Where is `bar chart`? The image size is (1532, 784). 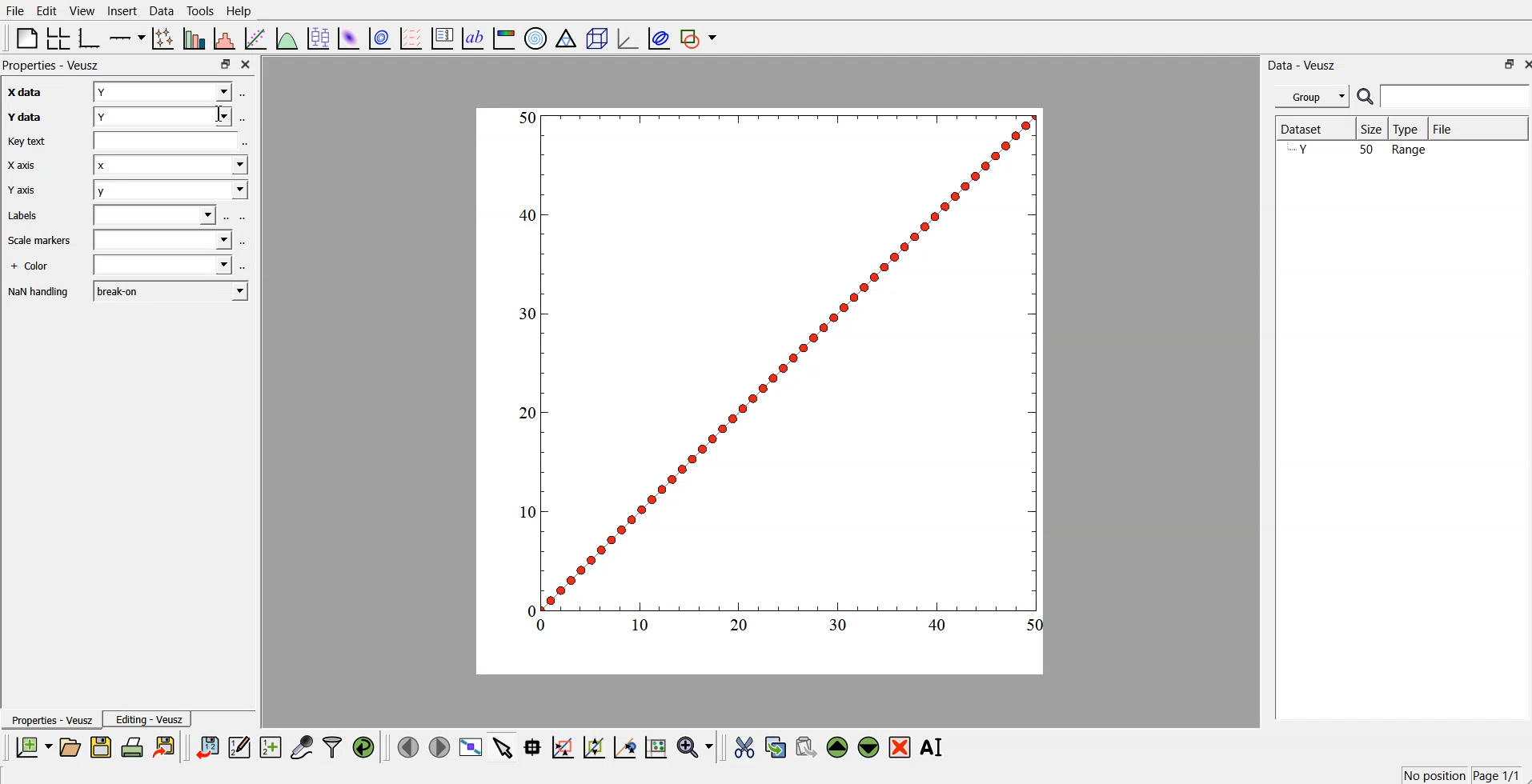
bar chart is located at coordinates (195, 37).